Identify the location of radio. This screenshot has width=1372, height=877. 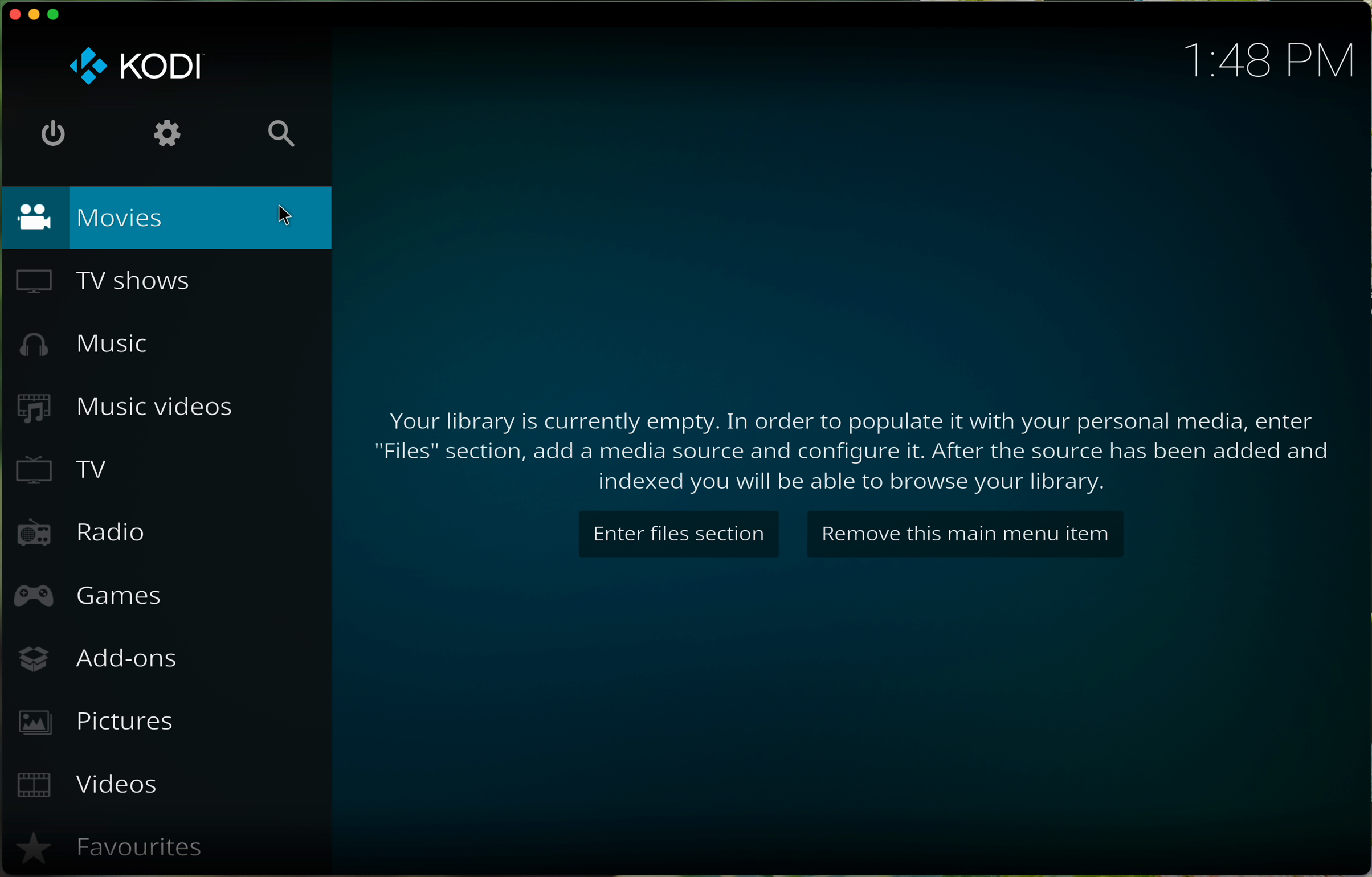
(107, 537).